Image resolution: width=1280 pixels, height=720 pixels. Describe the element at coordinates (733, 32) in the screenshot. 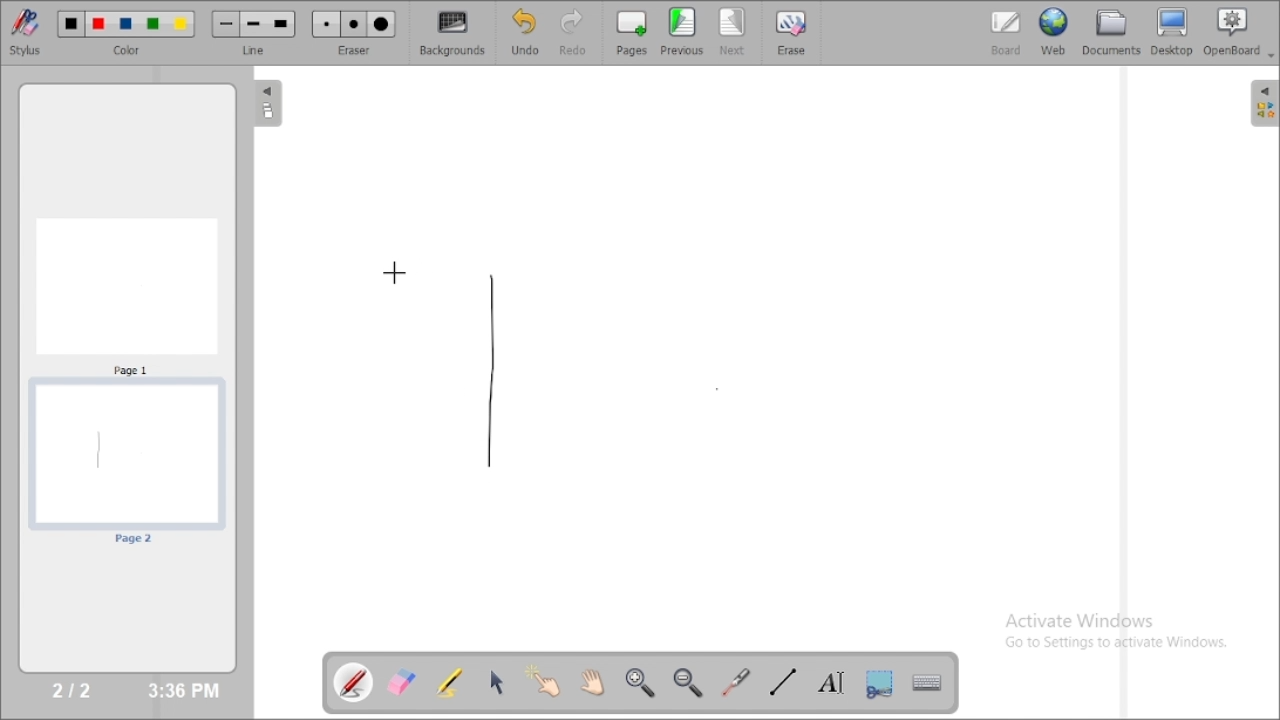

I see `next` at that location.